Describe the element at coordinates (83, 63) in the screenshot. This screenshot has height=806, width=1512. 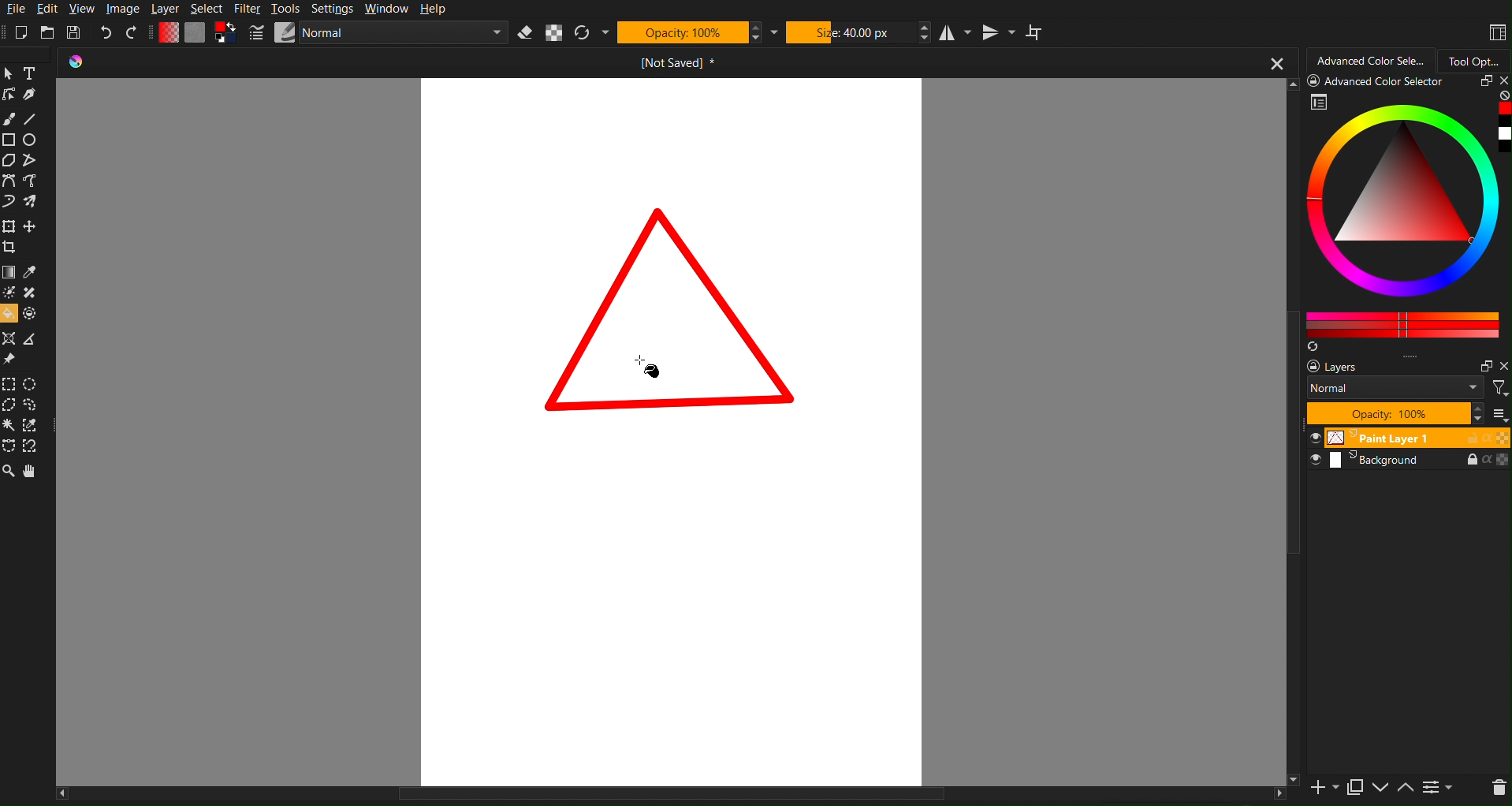
I see `icon` at that location.